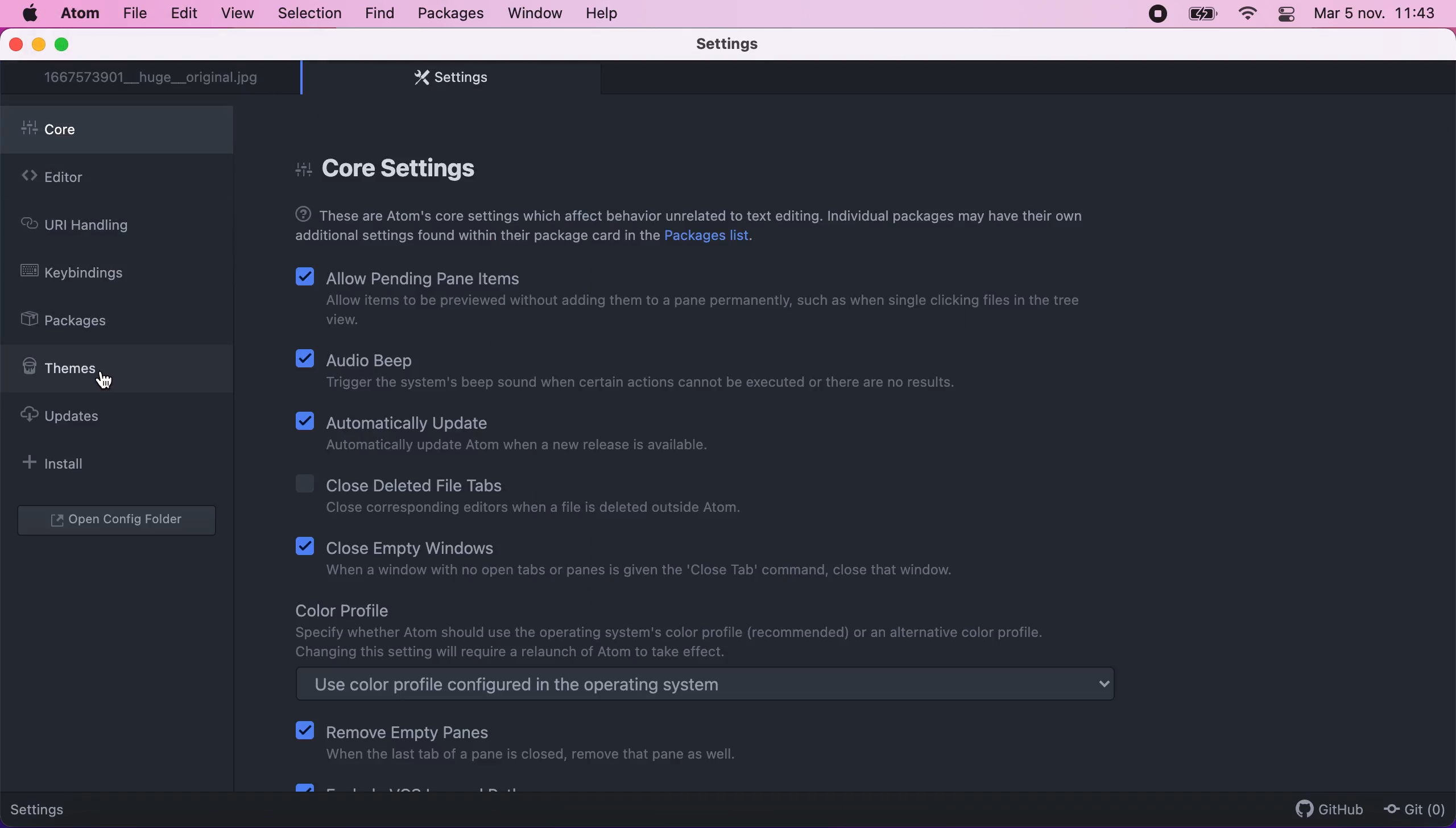 The image size is (1456, 828). What do you see at coordinates (38, 45) in the screenshot?
I see `minimize` at bounding box center [38, 45].